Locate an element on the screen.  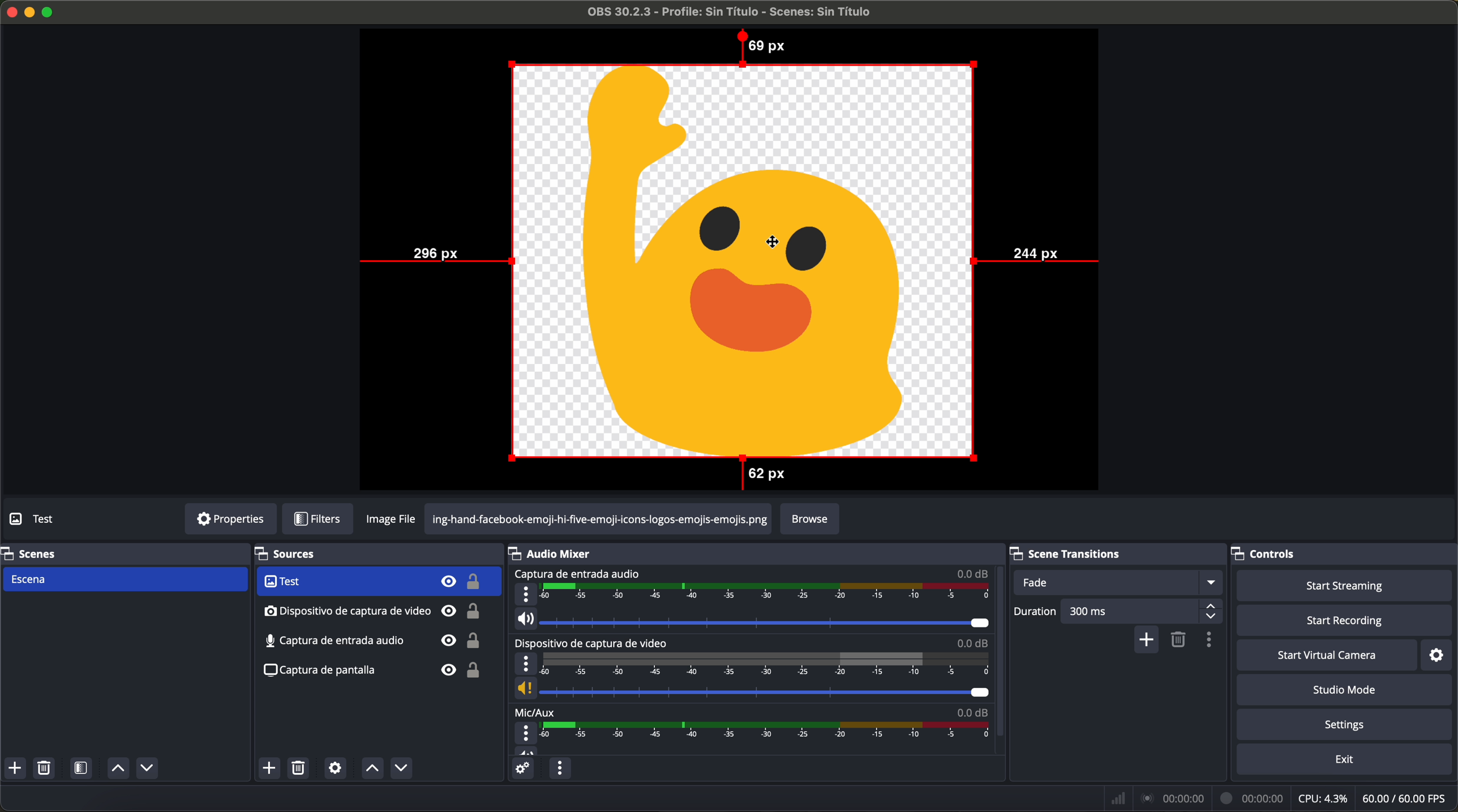
start streaming is located at coordinates (1340, 585).